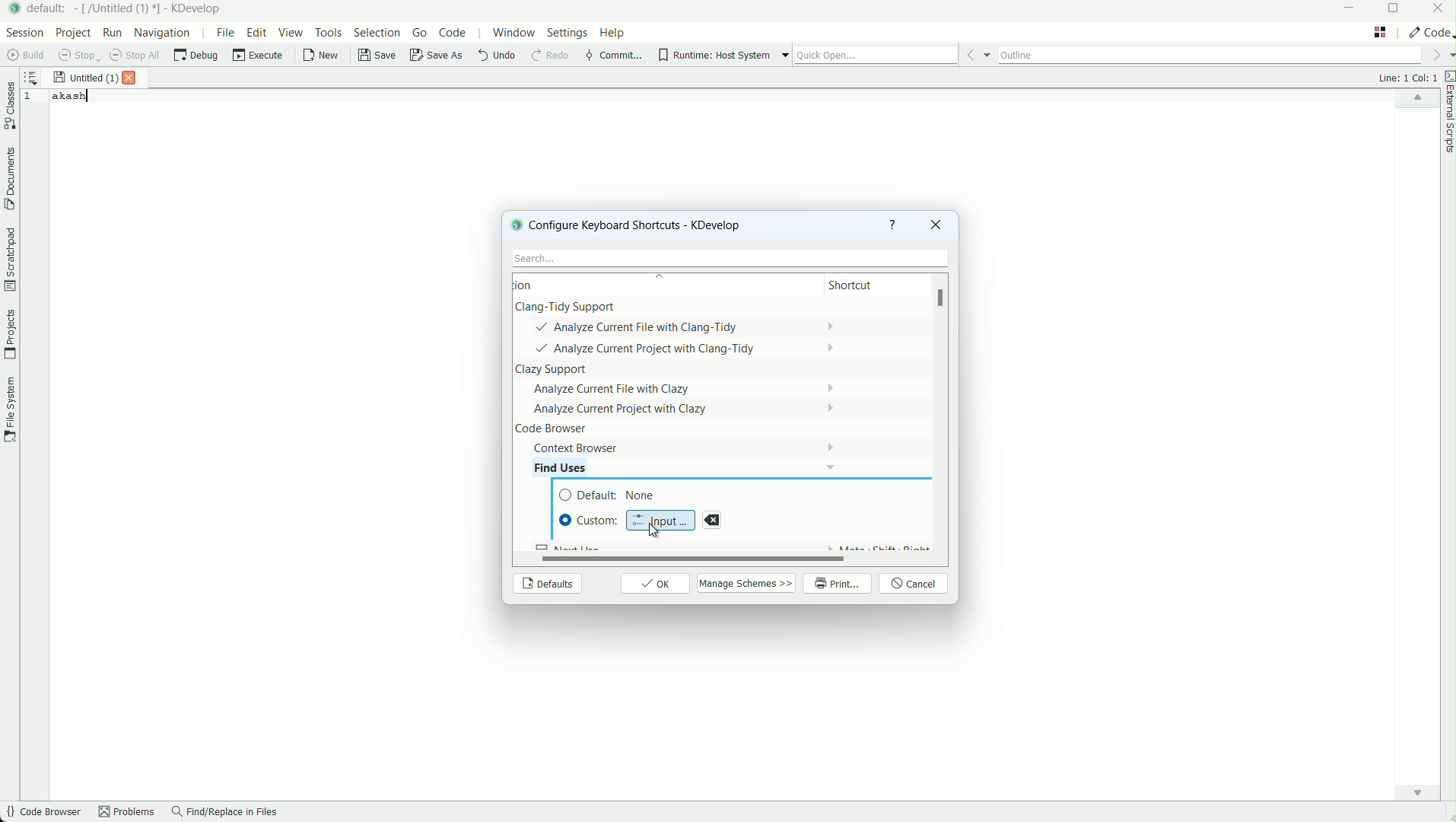 Image resolution: width=1456 pixels, height=822 pixels. What do you see at coordinates (1350, 9) in the screenshot?
I see `minimize` at bounding box center [1350, 9].